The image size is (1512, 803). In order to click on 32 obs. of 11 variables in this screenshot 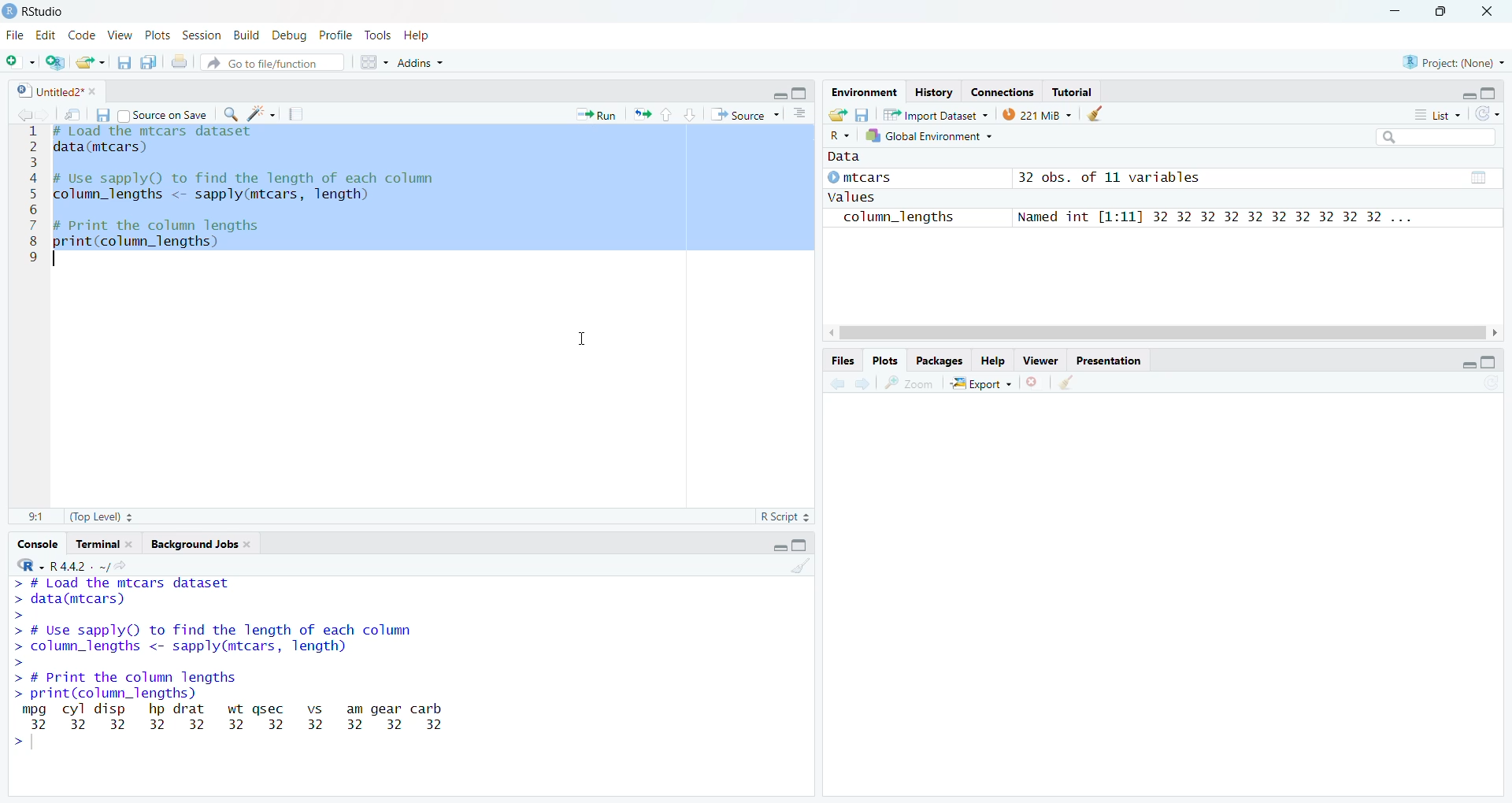, I will do `click(1110, 179)`.